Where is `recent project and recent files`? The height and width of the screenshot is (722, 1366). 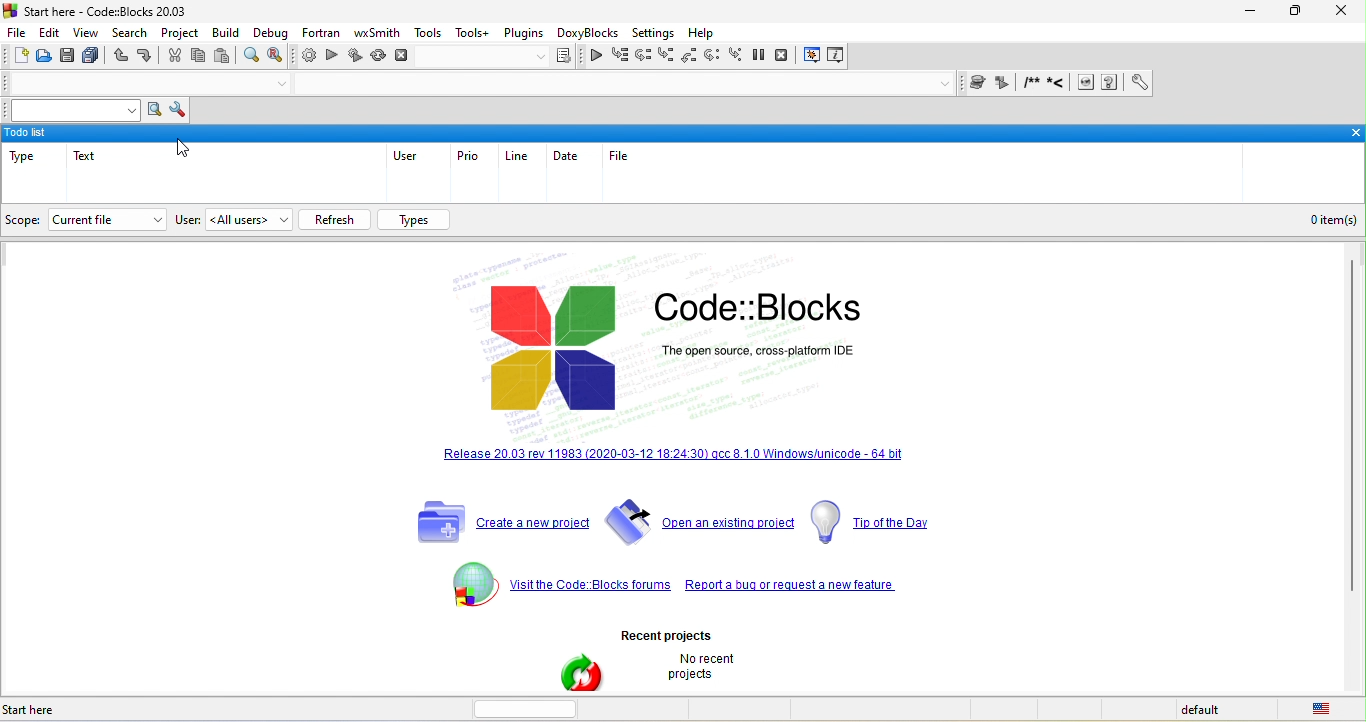
recent project and recent files is located at coordinates (581, 673).